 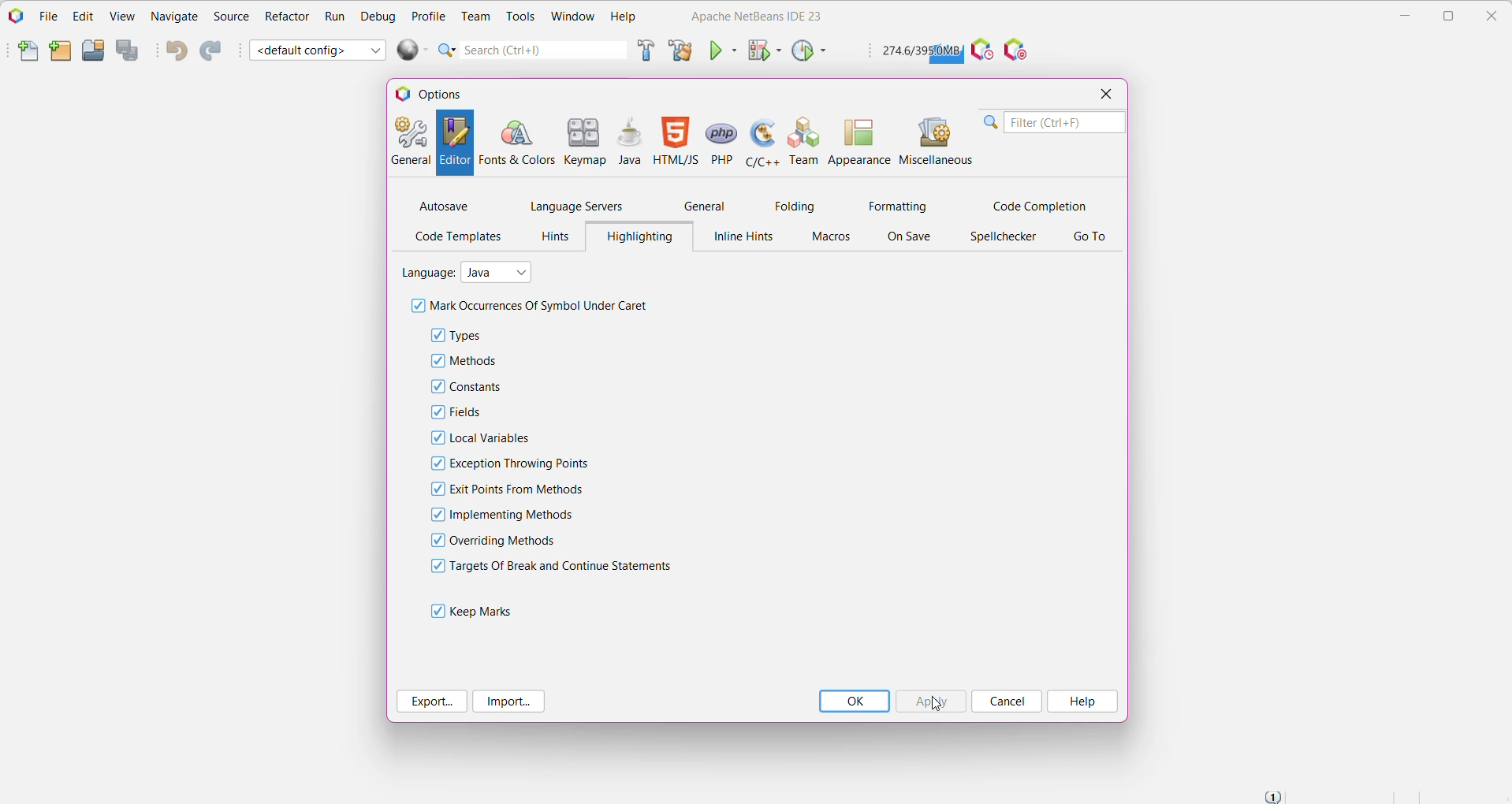 What do you see at coordinates (333, 17) in the screenshot?
I see `Run` at bounding box center [333, 17].